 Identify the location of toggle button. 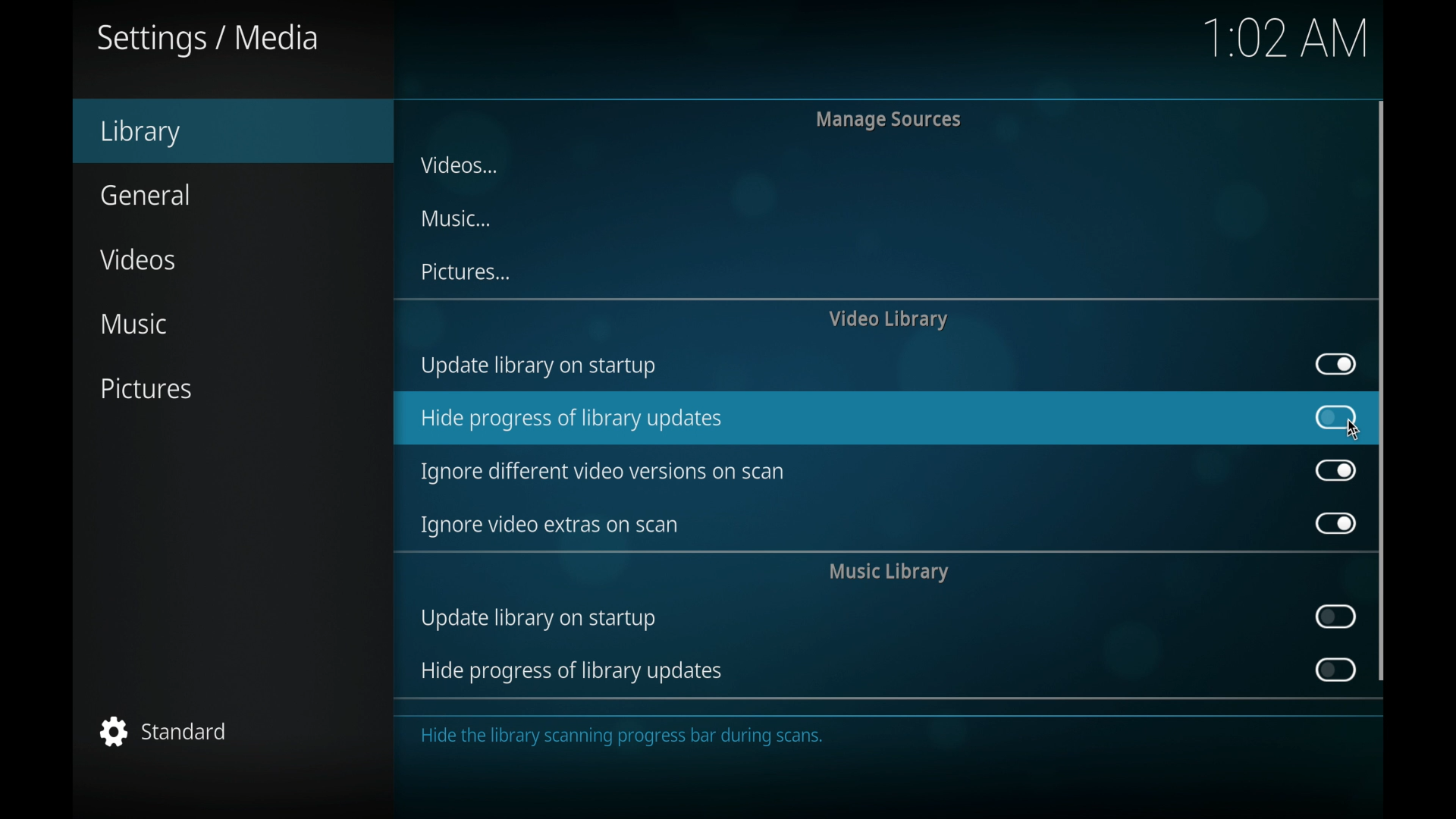
(1336, 470).